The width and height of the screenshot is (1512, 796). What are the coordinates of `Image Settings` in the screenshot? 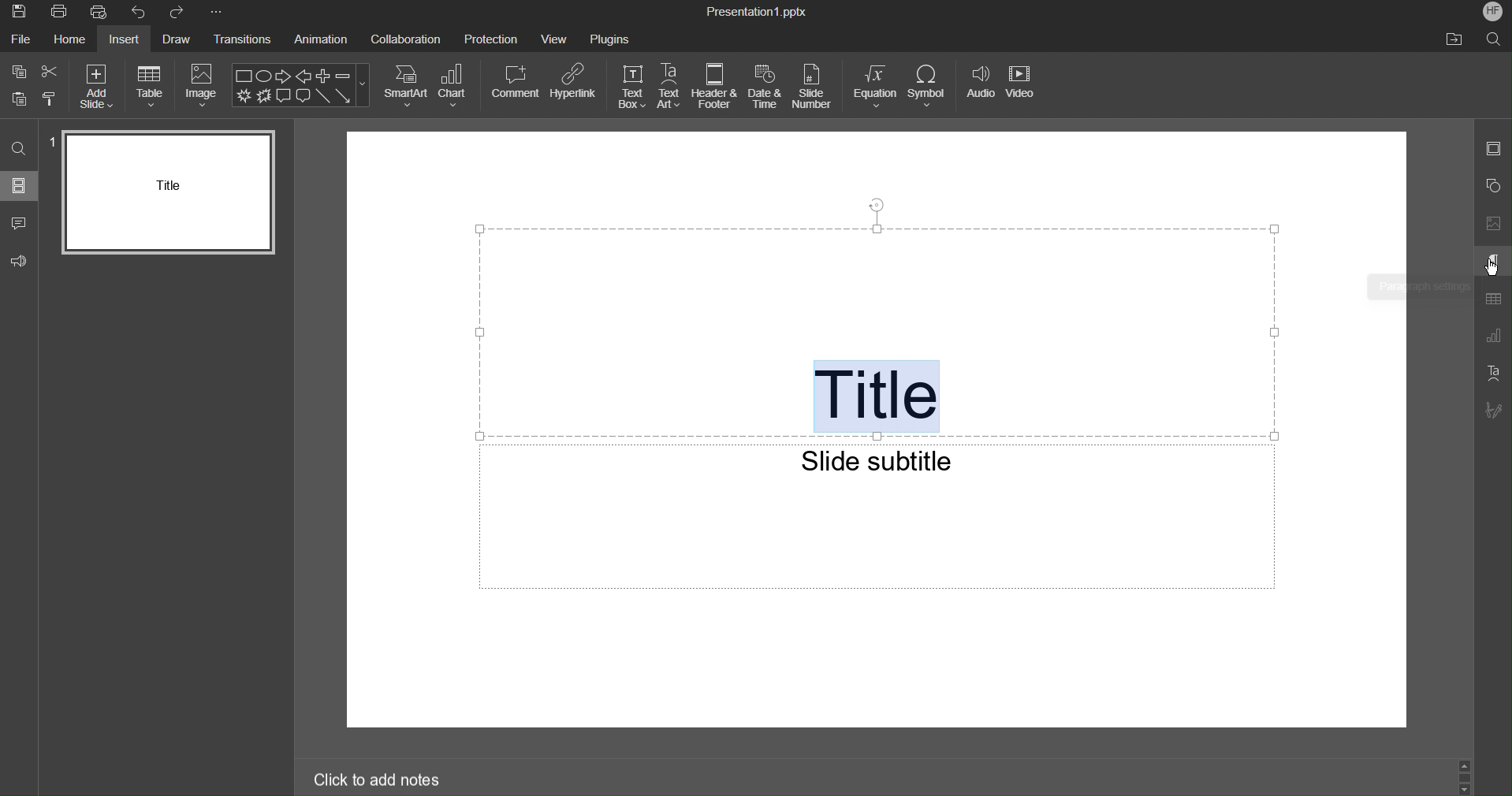 It's located at (1492, 224).